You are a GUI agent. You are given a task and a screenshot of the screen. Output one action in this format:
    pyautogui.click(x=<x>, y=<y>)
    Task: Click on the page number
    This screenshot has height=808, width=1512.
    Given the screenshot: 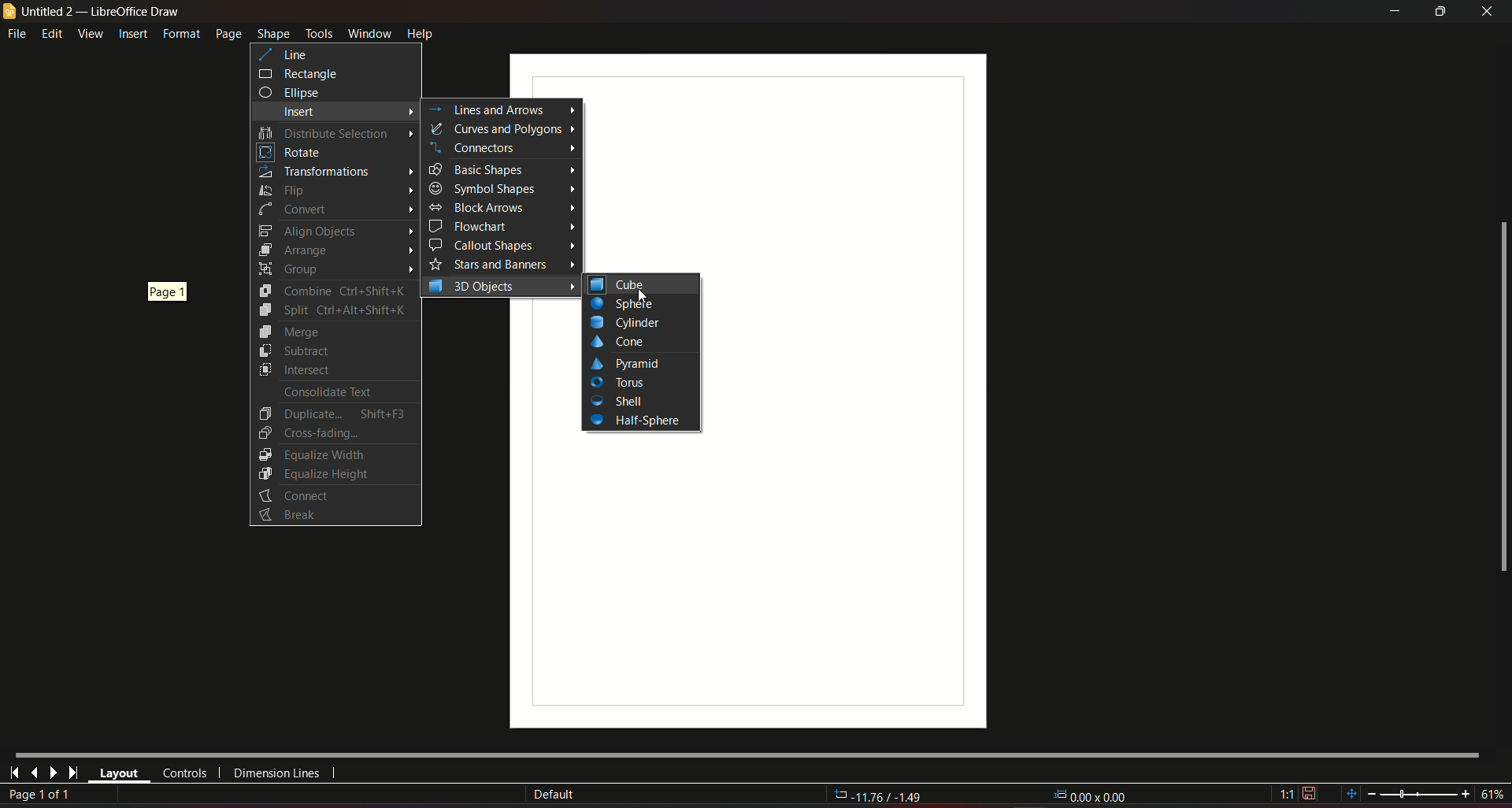 What is the action you would take?
    pyautogui.click(x=43, y=795)
    